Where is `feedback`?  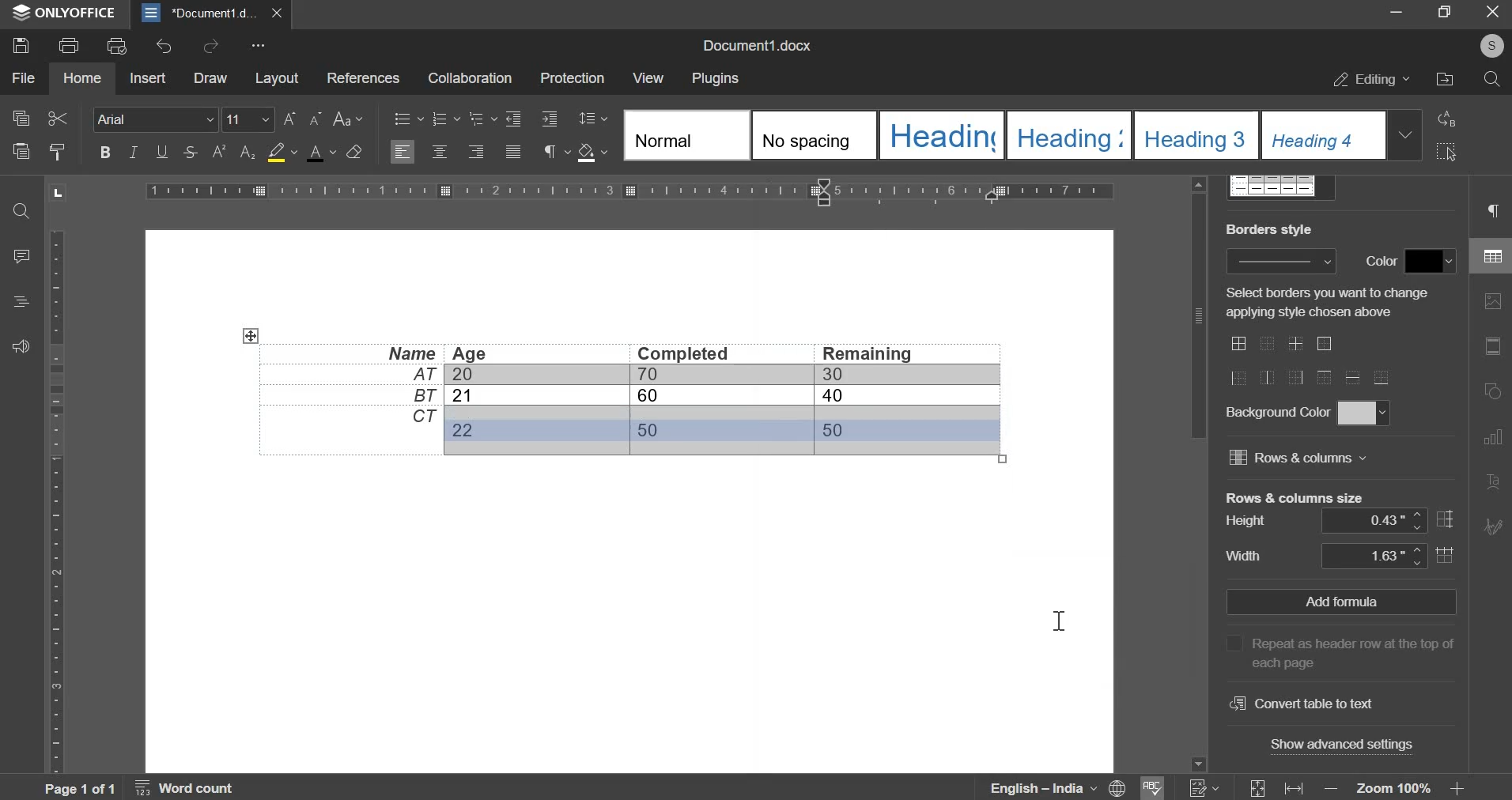 feedback is located at coordinates (22, 346).